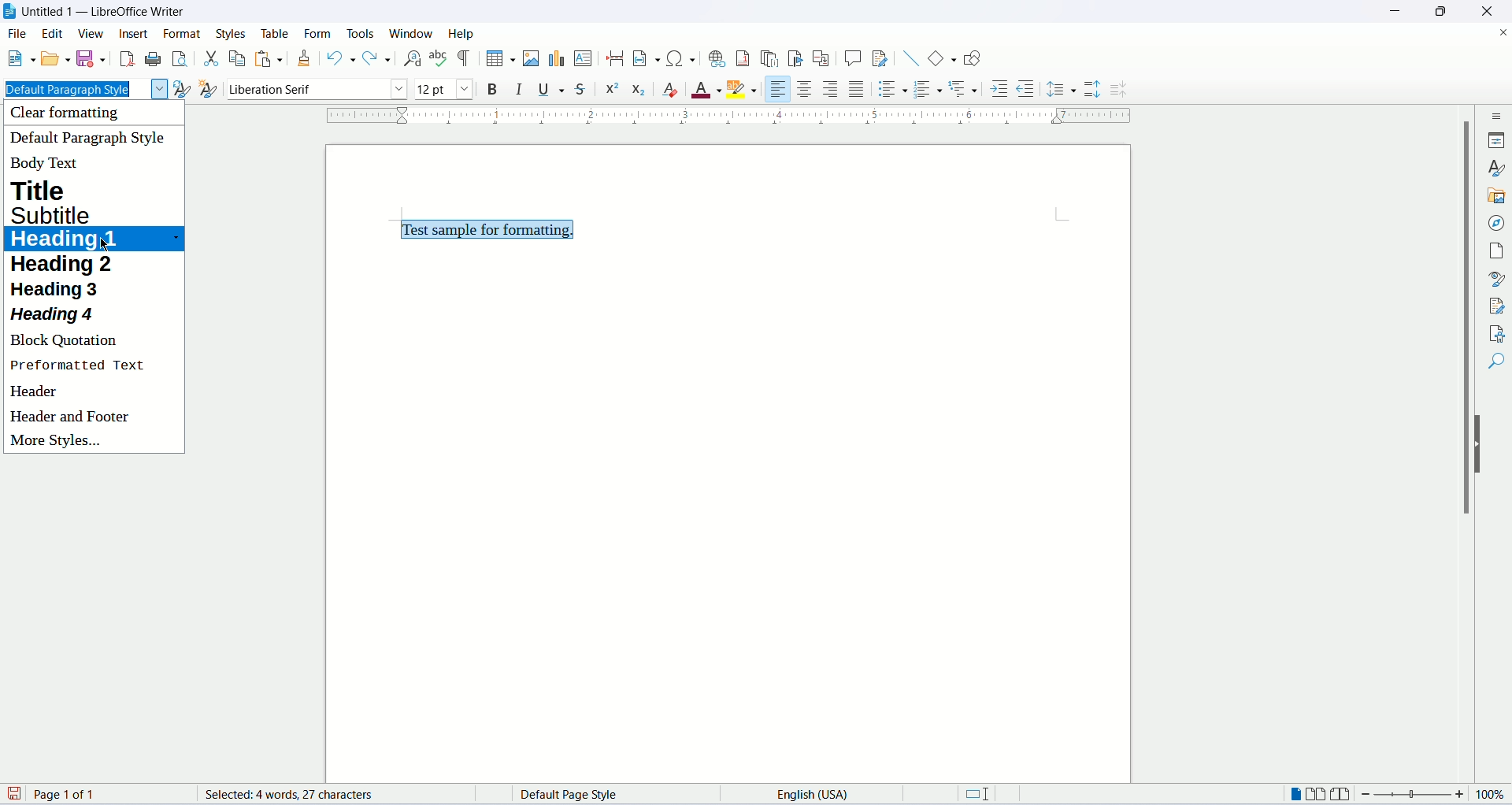 The height and width of the screenshot is (805, 1512). Describe the element at coordinates (20, 61) in the screenshot. I see `new` at that location.